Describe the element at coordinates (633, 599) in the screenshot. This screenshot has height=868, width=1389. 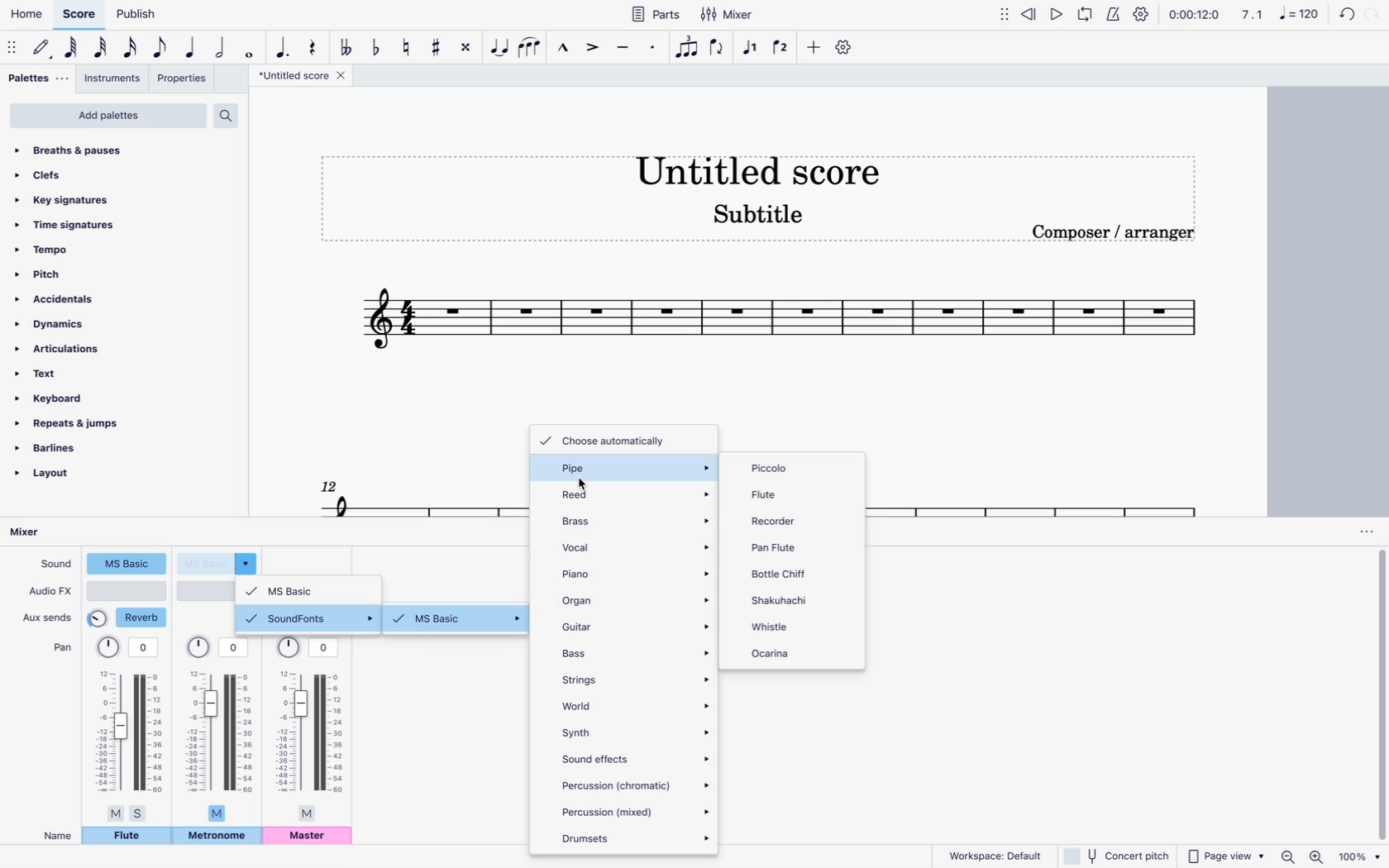
I see `organ` at that location.